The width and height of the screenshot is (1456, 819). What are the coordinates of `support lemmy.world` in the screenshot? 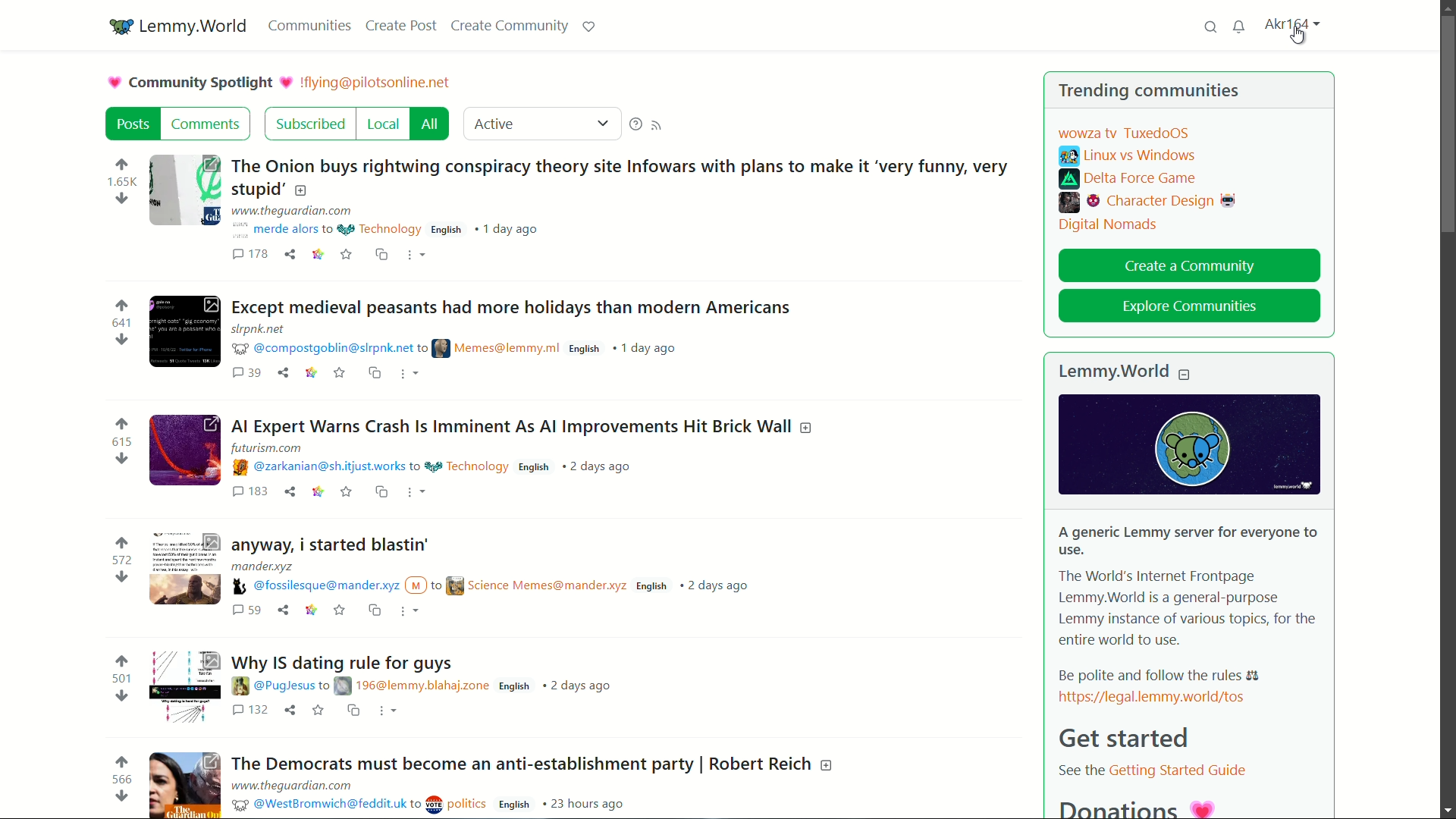 It's located at (589, 27).